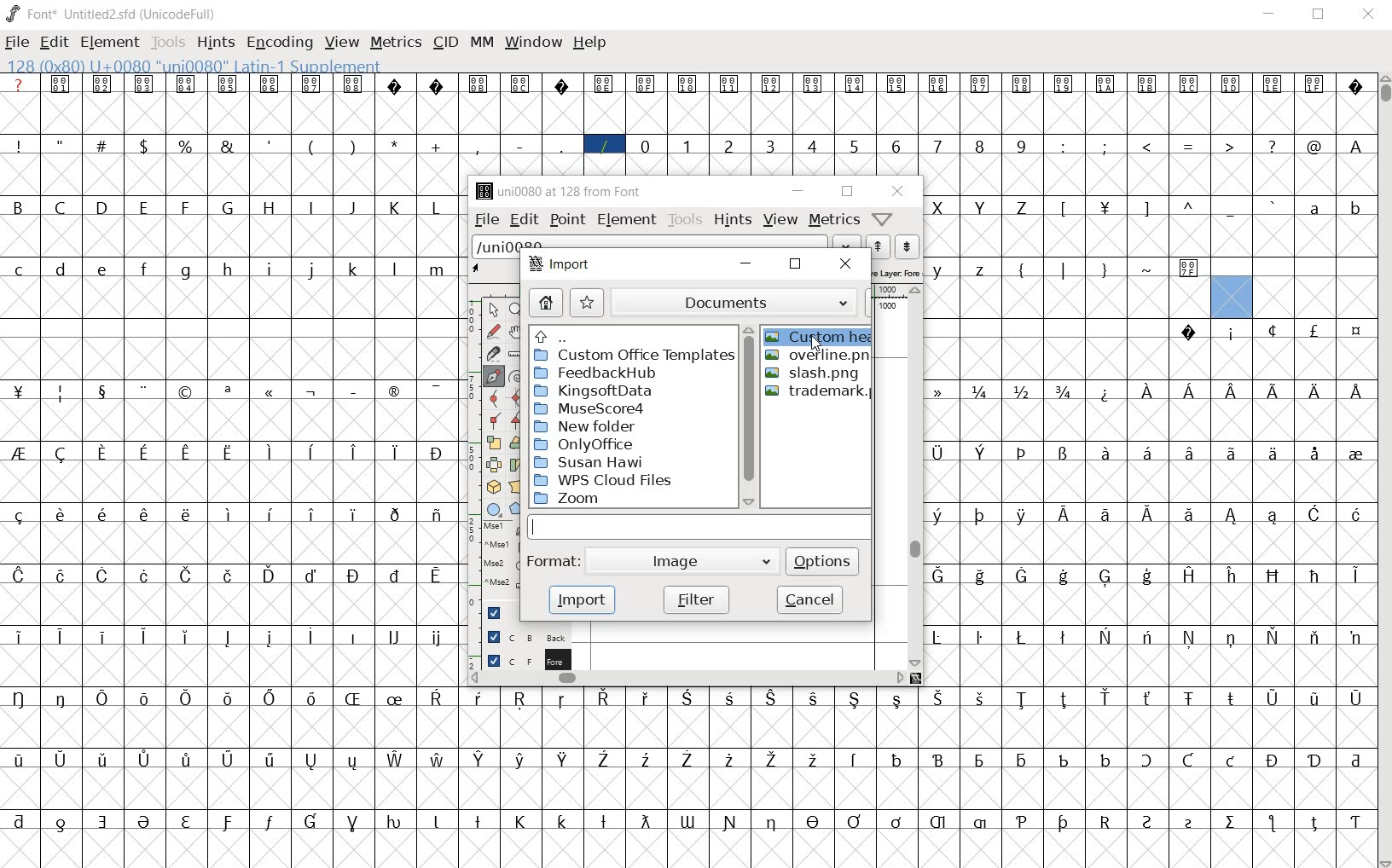 This screenshot has height=868, width=1392. I want to click on glyph, so click(1190, 515).